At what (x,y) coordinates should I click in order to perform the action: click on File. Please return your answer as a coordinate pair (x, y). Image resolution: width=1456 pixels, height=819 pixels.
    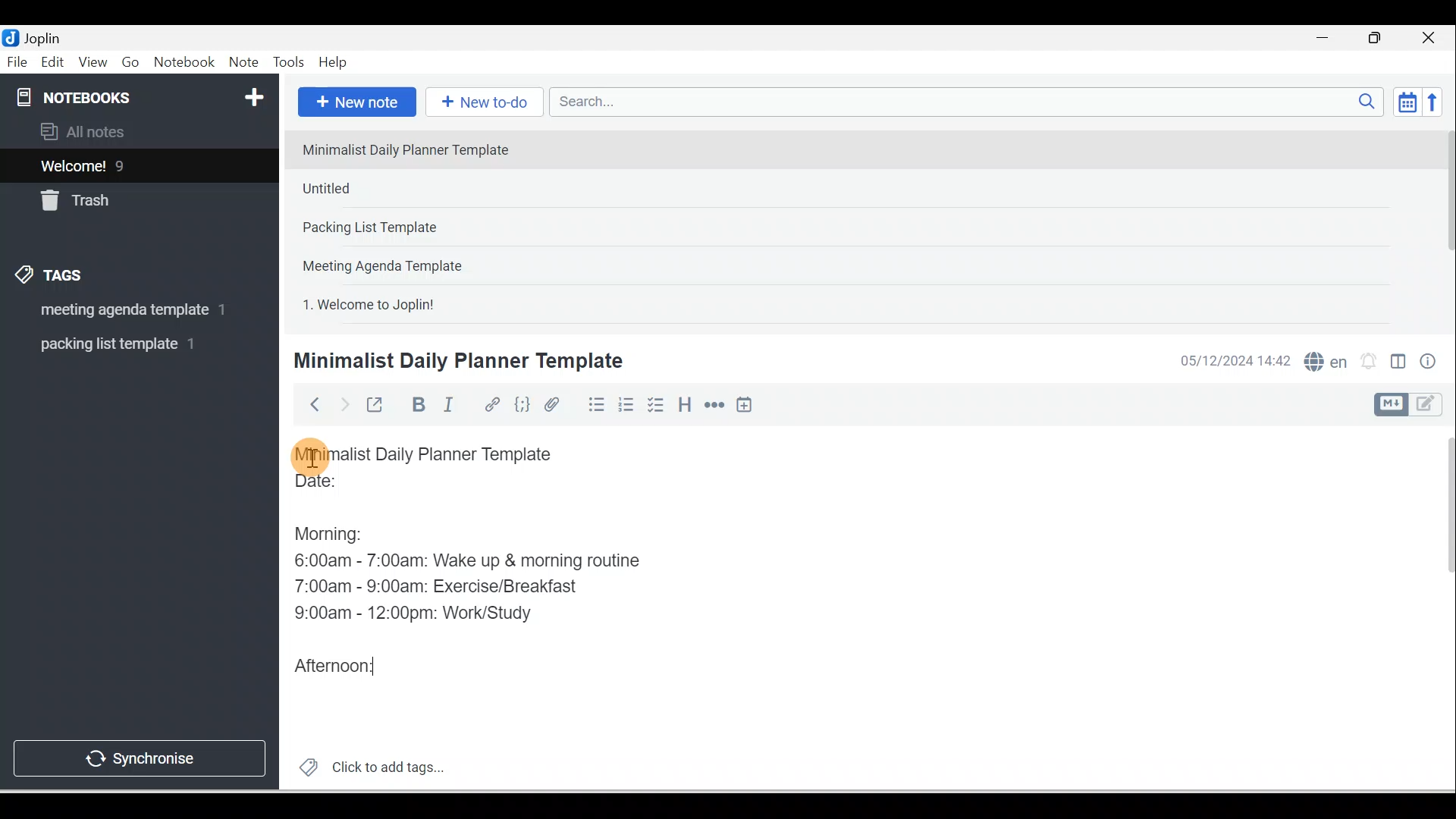
    Looking at the image, I should click on (18, 61).